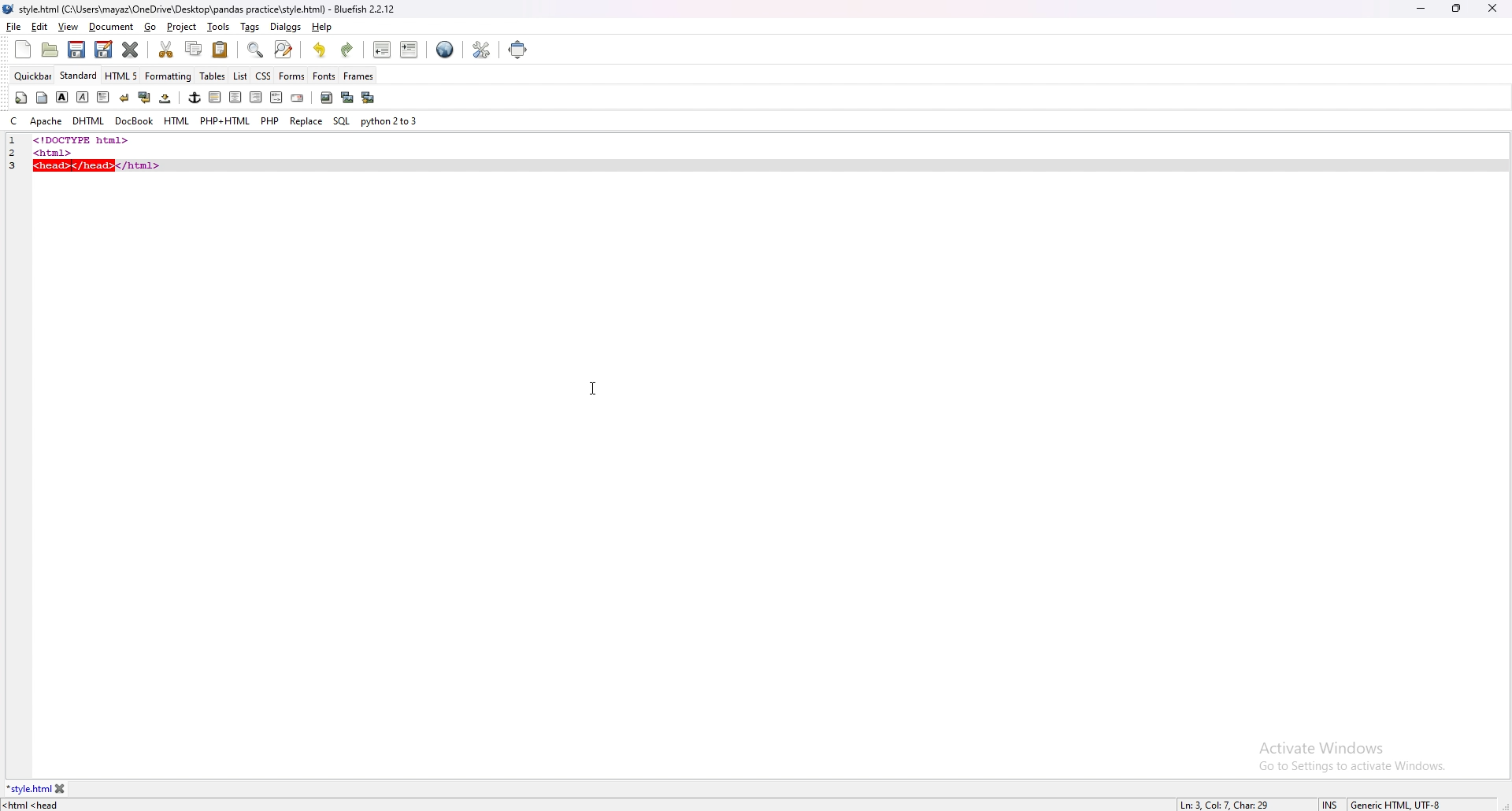 Image resolution: width=1512 pixels, height=811 pixels. I want to click on dhtml, so click(88, 122).